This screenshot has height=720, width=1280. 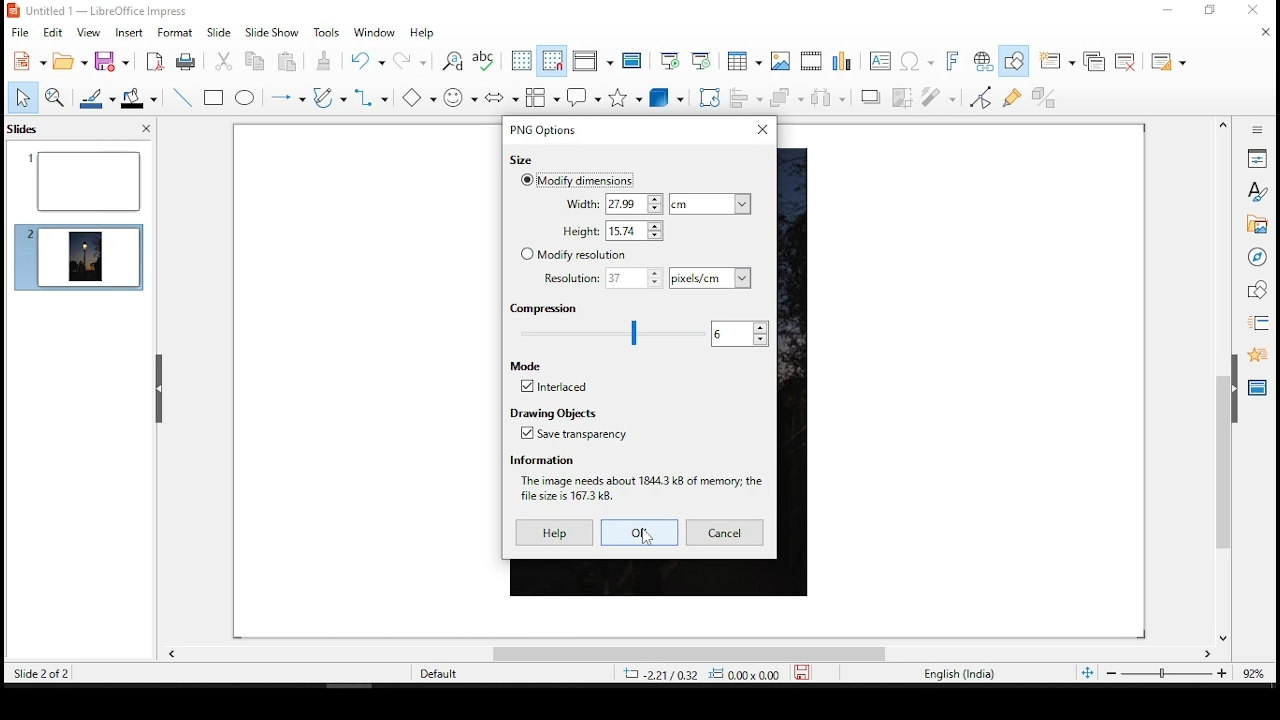 What do you see at coordinates (983, 59) in the screenshot?
I see `hyperlink` at bounding box center [983, 59].